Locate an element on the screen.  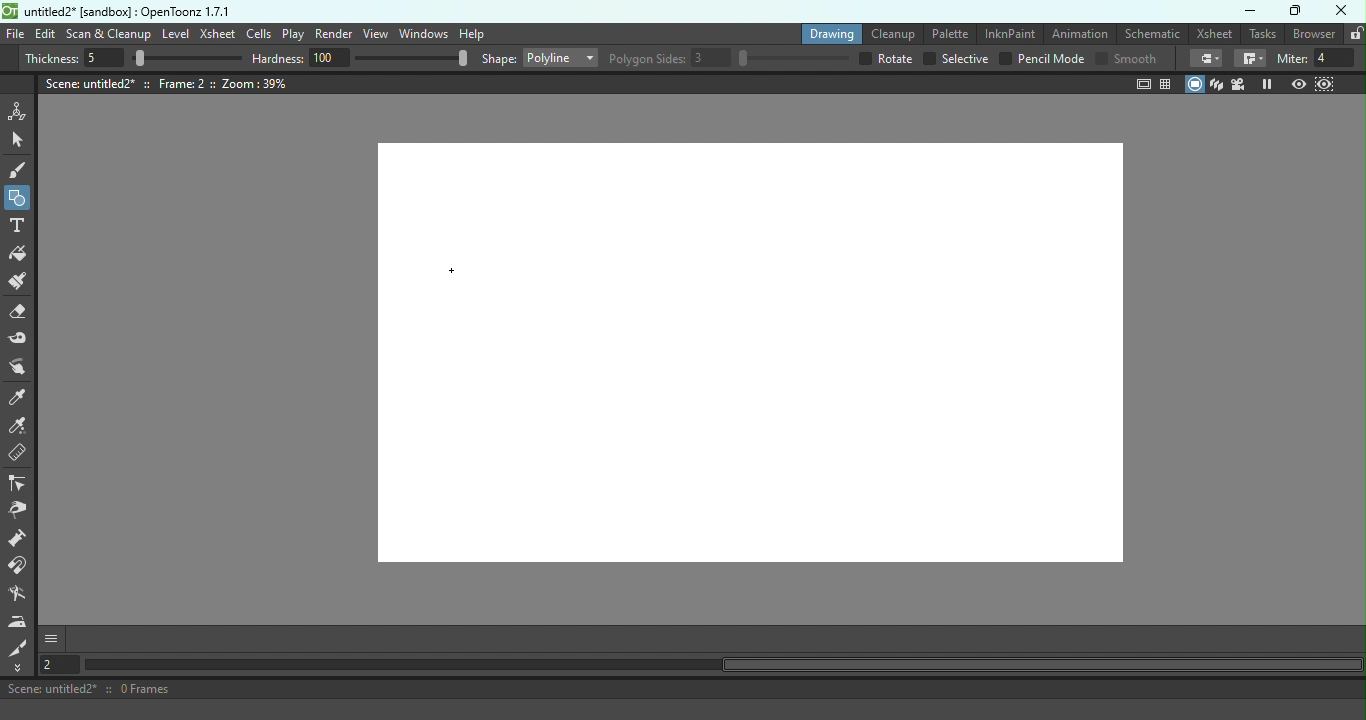
Xsheet is located at coordinates (218, 32).